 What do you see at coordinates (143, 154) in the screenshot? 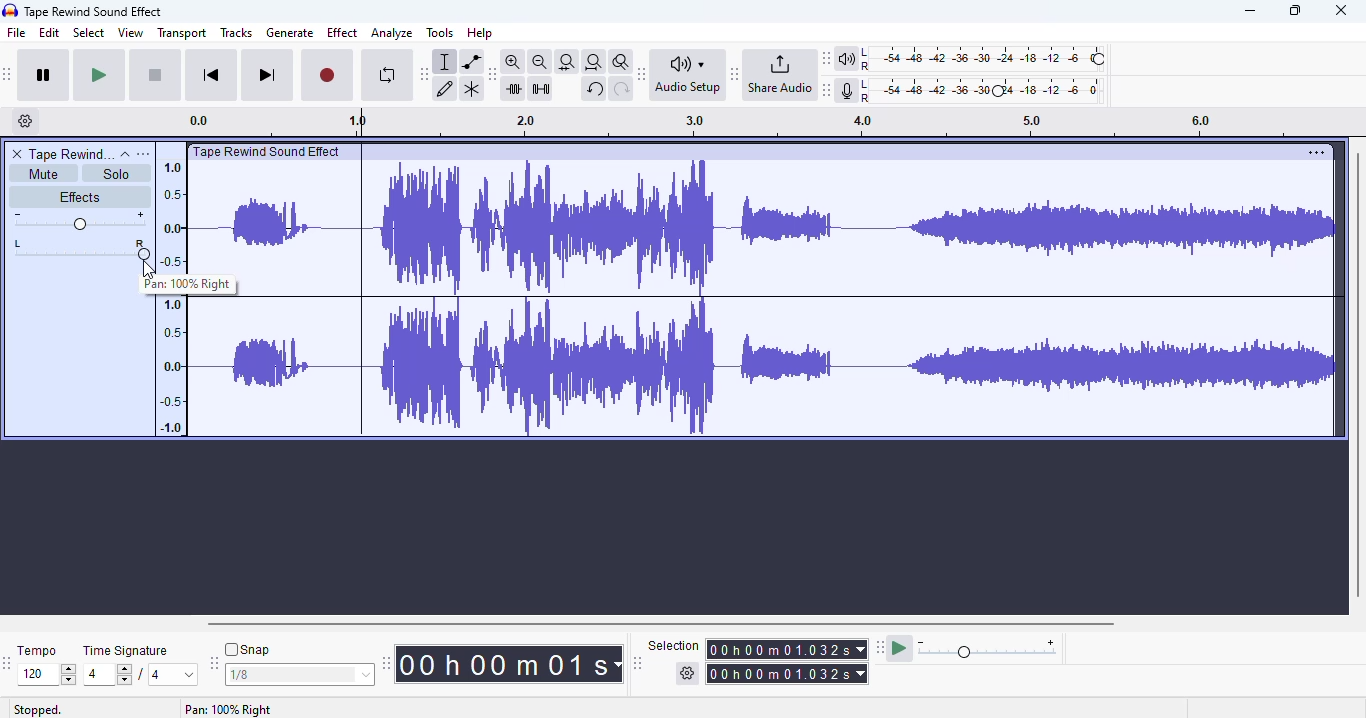
I see `open menu` at bounding box center [143, 154].